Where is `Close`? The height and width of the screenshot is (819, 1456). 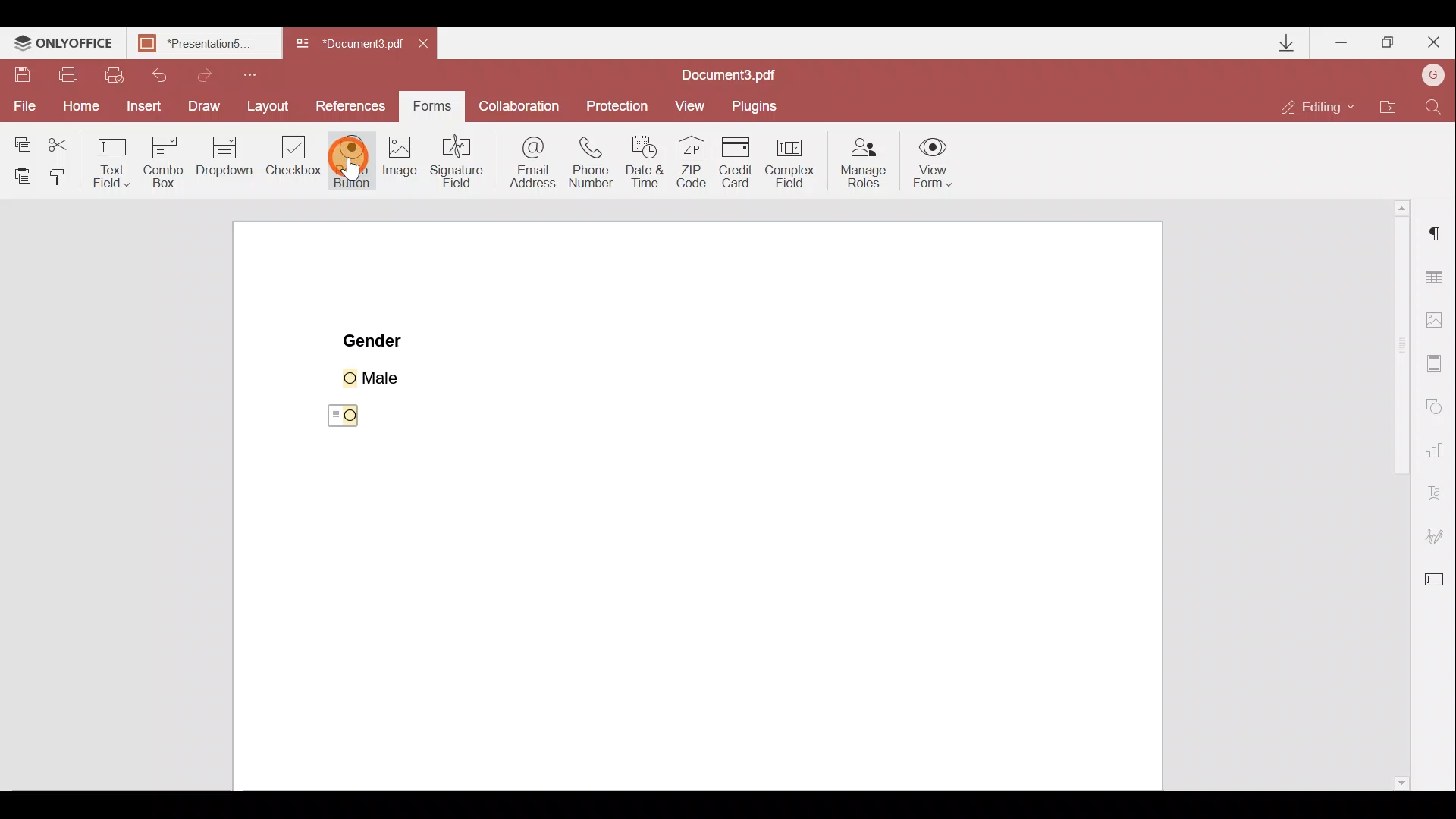 Close is located at coordinates (1434, 43).